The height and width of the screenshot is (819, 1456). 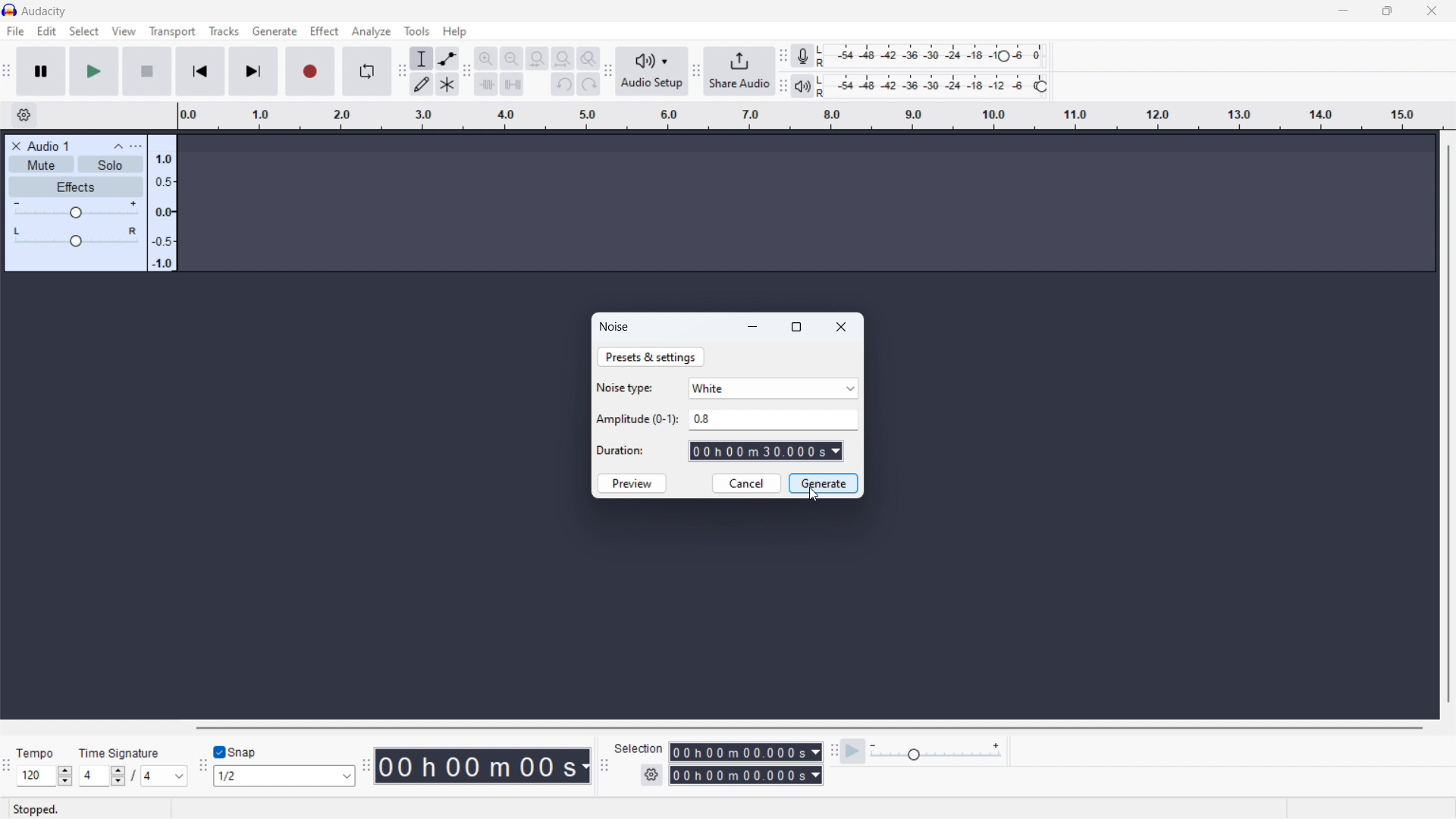 I want to click on multi tool, so click(x=447, y=84).